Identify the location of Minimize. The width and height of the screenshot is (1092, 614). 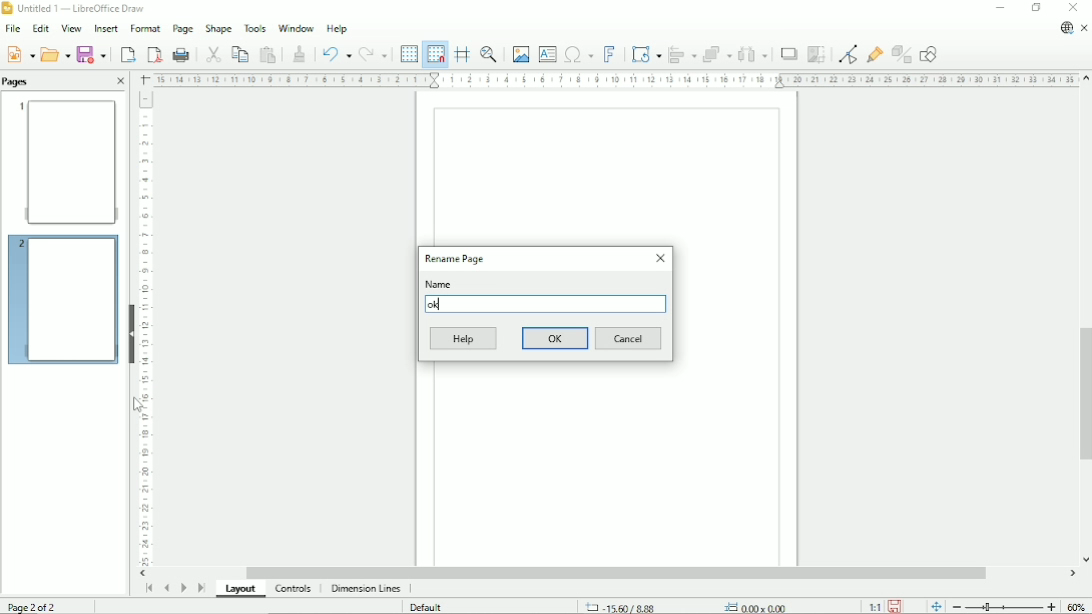
(999, 8).